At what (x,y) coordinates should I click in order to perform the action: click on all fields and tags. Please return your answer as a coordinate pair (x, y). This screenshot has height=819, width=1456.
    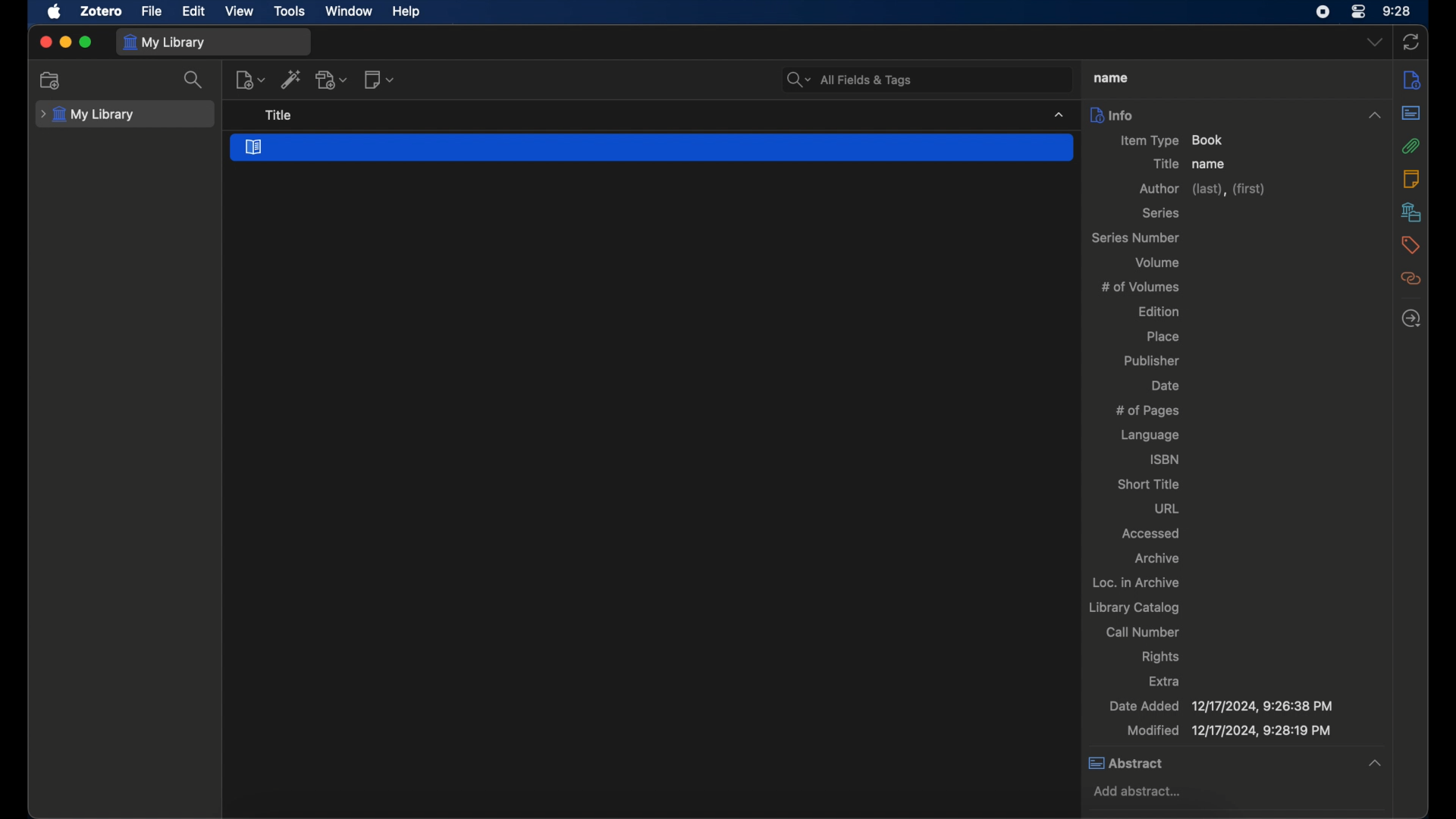
    Looking at the image, I should click on (850, 80).